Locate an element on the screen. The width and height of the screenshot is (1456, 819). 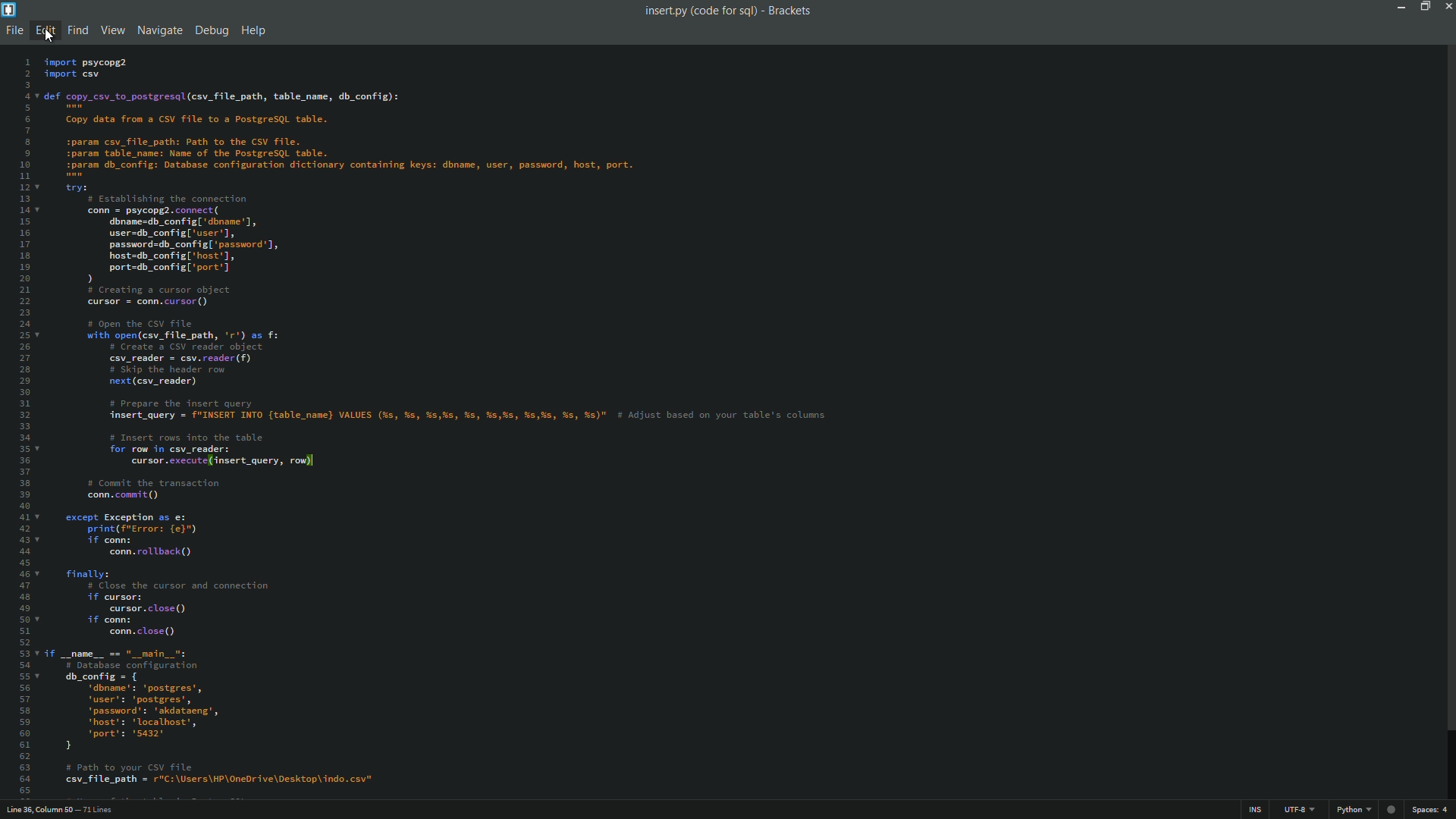
web is located at coordinates (1393, 809).